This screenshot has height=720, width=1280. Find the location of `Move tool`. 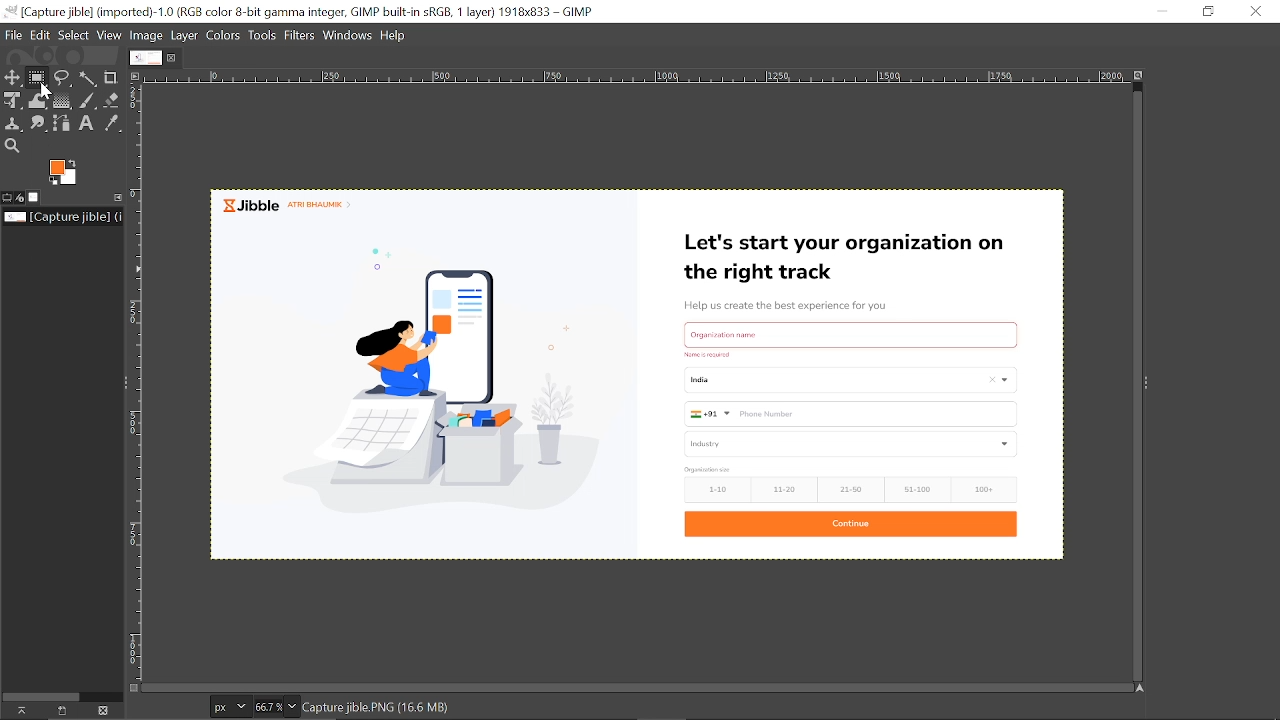

Move tool is located at coordinates (12, 76).